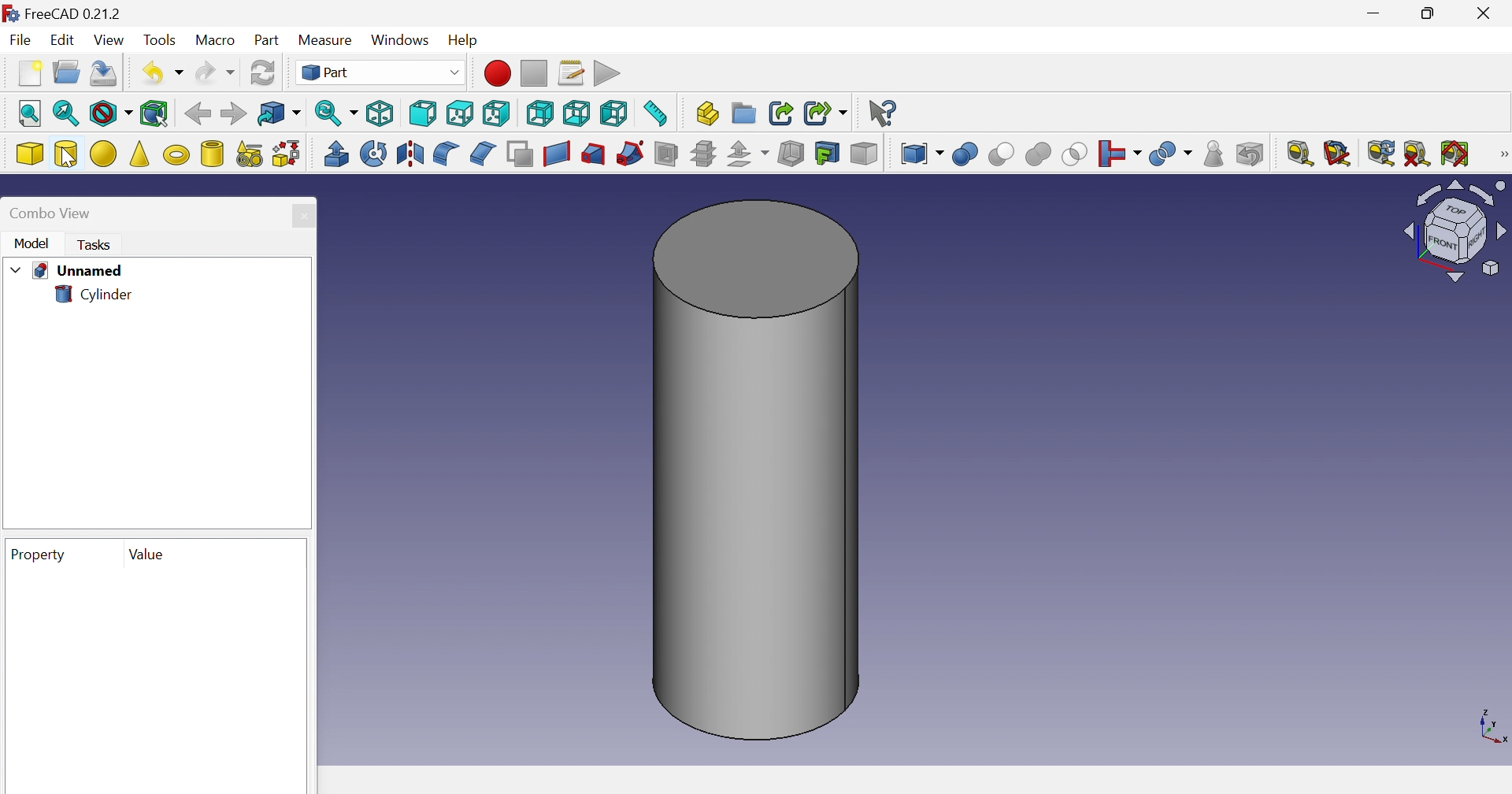  What do you see at coordinates (667, 154) in the screenshot?
I see `Section` at bounding box center [667, 154].